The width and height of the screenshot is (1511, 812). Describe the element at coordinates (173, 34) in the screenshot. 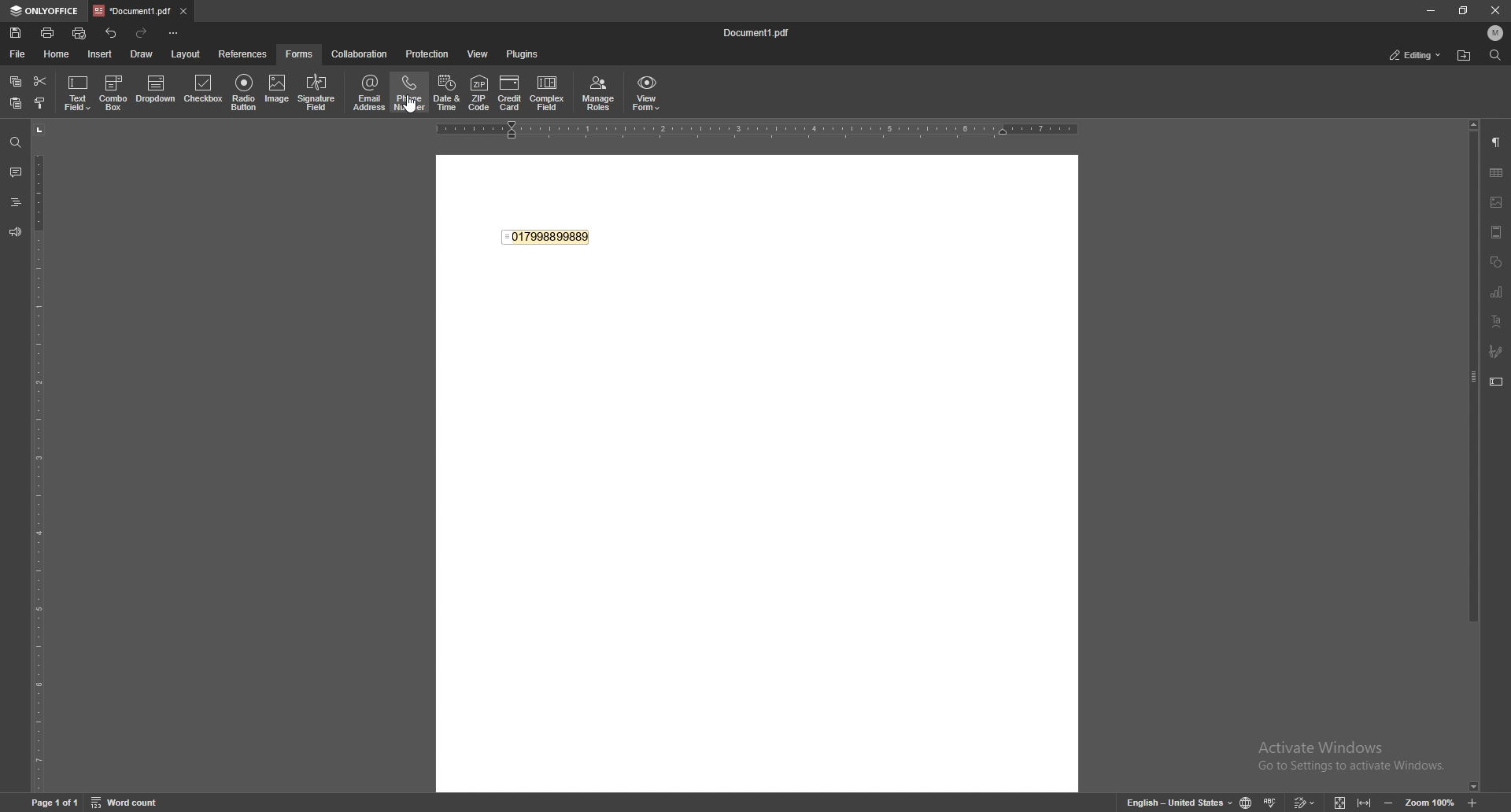

I see `customize toolbar` at that location.